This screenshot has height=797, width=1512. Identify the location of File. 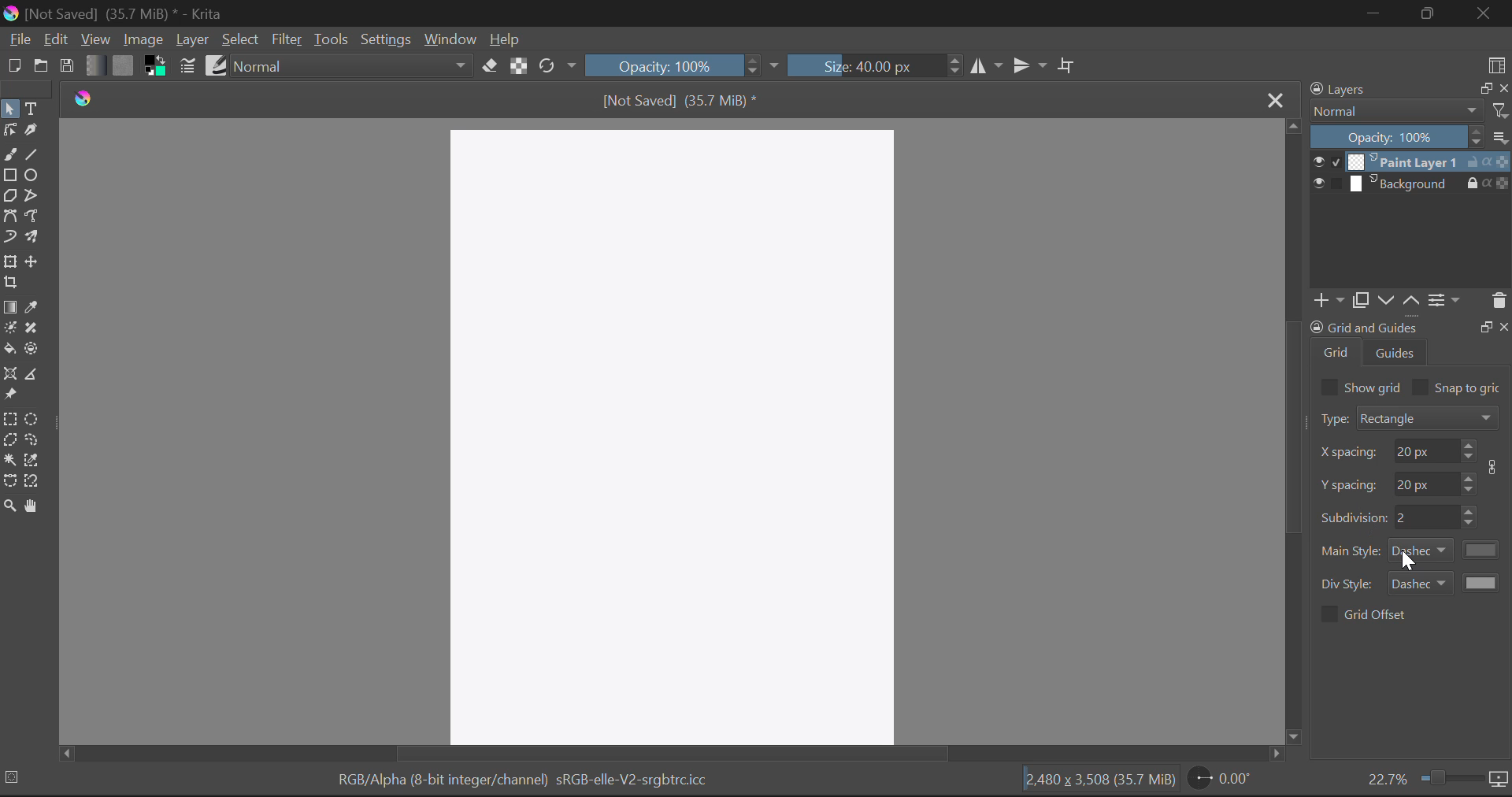
(19, 40).